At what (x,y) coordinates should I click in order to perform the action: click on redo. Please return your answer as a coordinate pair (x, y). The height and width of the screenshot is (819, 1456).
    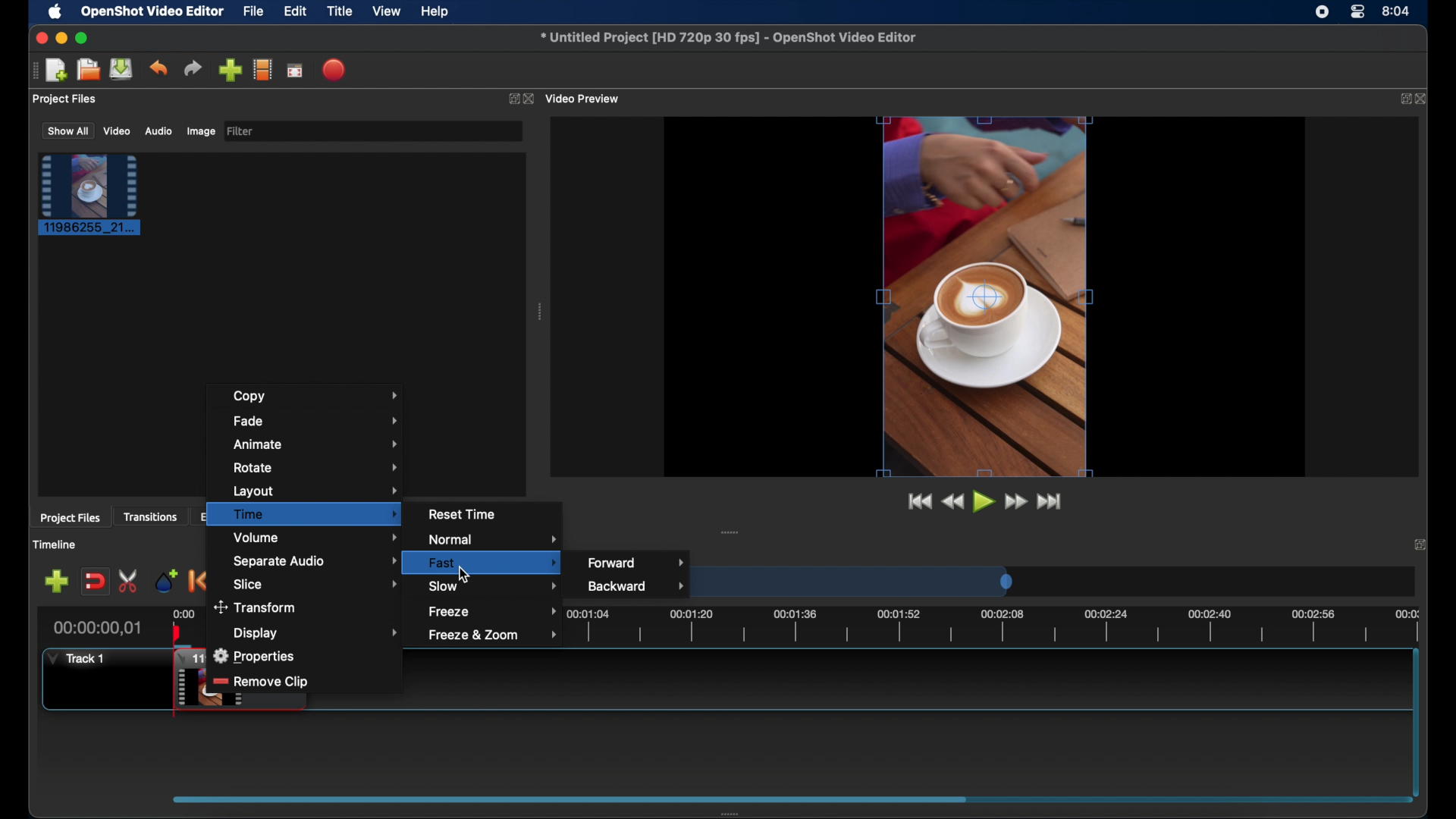
    Looking at the image, I should click on (193, 67).